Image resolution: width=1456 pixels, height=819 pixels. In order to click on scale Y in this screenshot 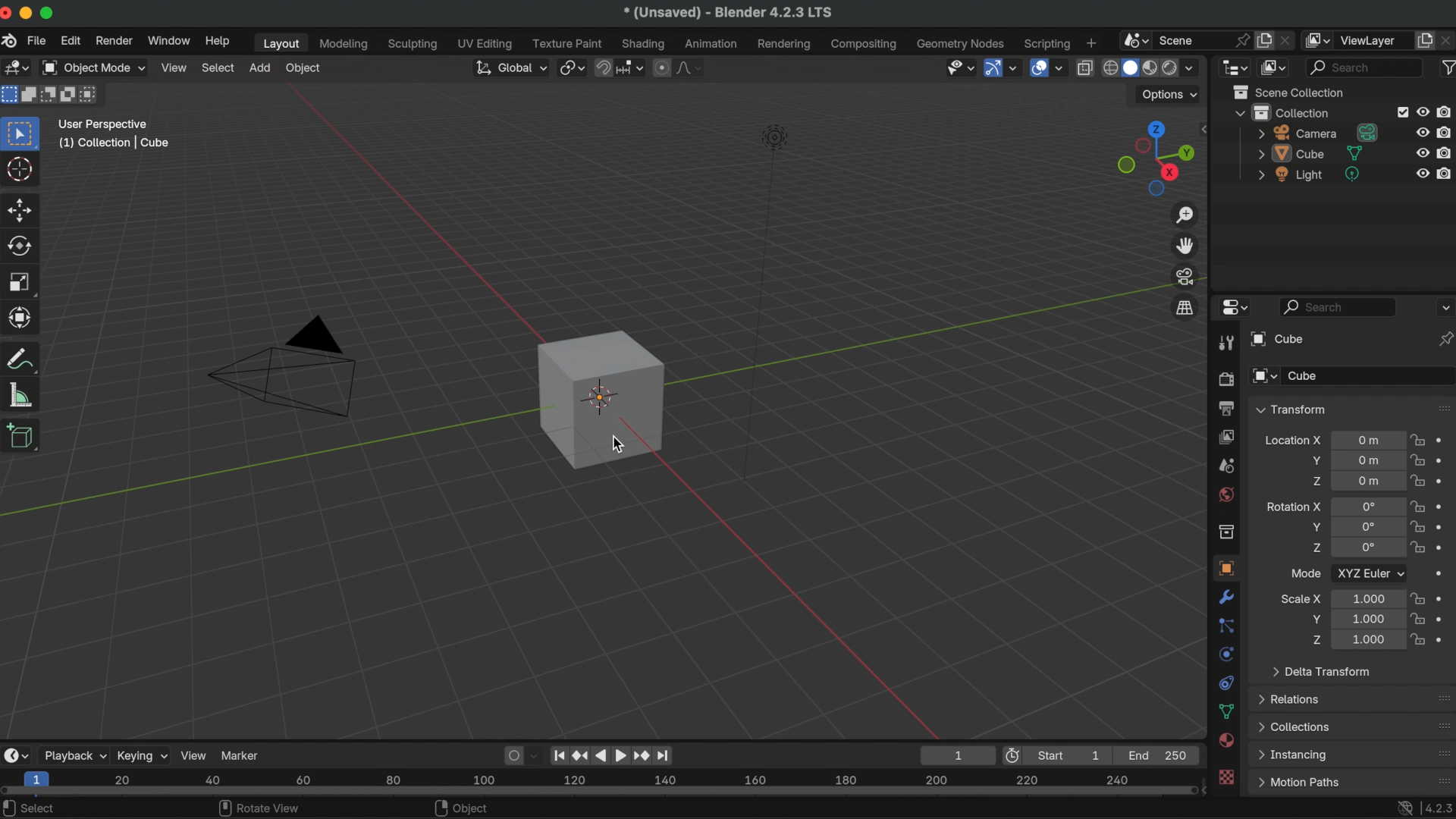, I will do `click(1312, 619)`.